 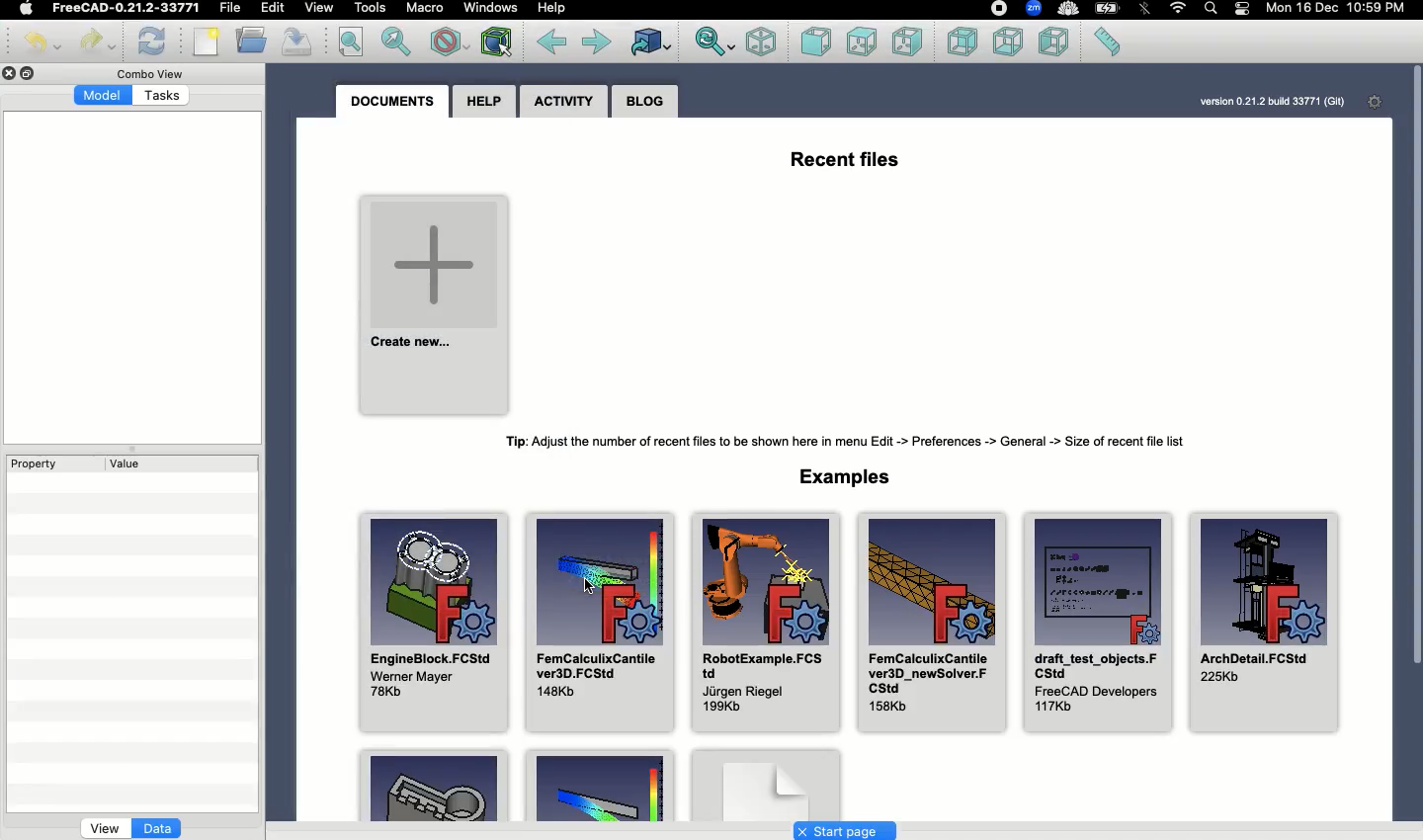 What do you see at coordinates (437, 625) in the screenshot?
I see `EngineBlock.FCStd Werner Mayer 78Kb` at bounding box center [437, 625].